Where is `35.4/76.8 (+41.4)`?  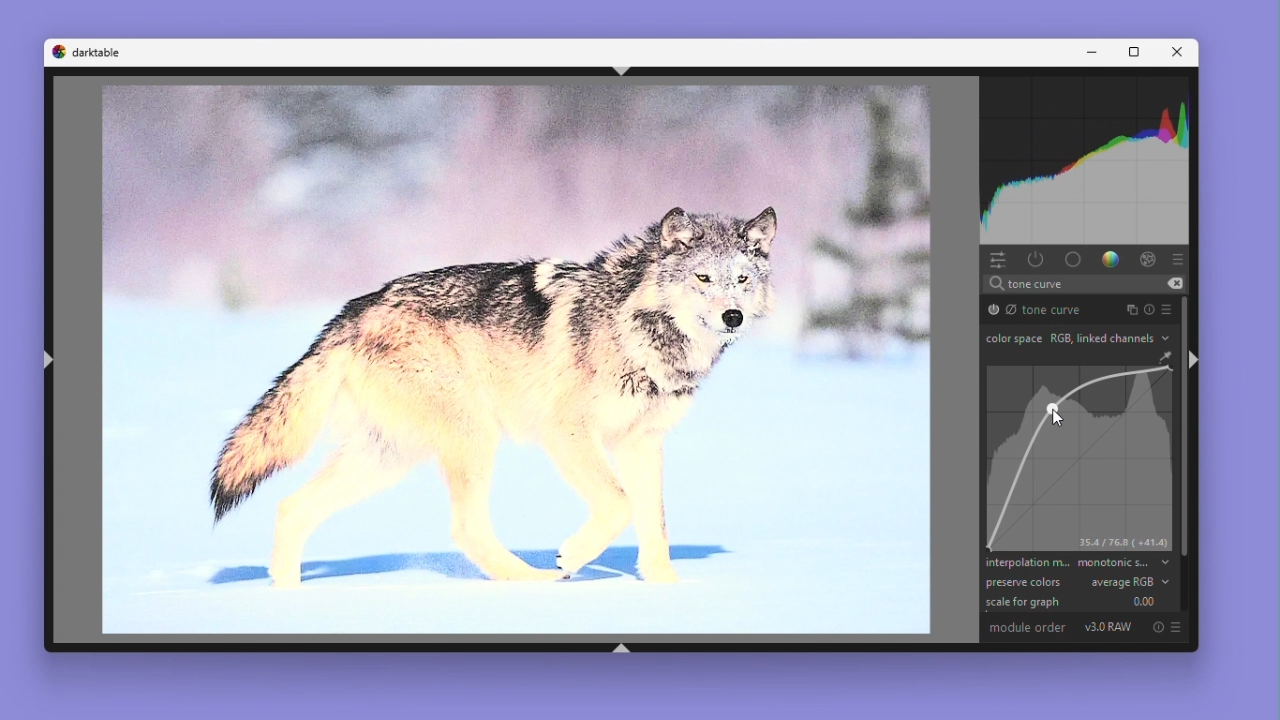 35.4/76.8 (+41.4) is located at coordinates (1120, 543).